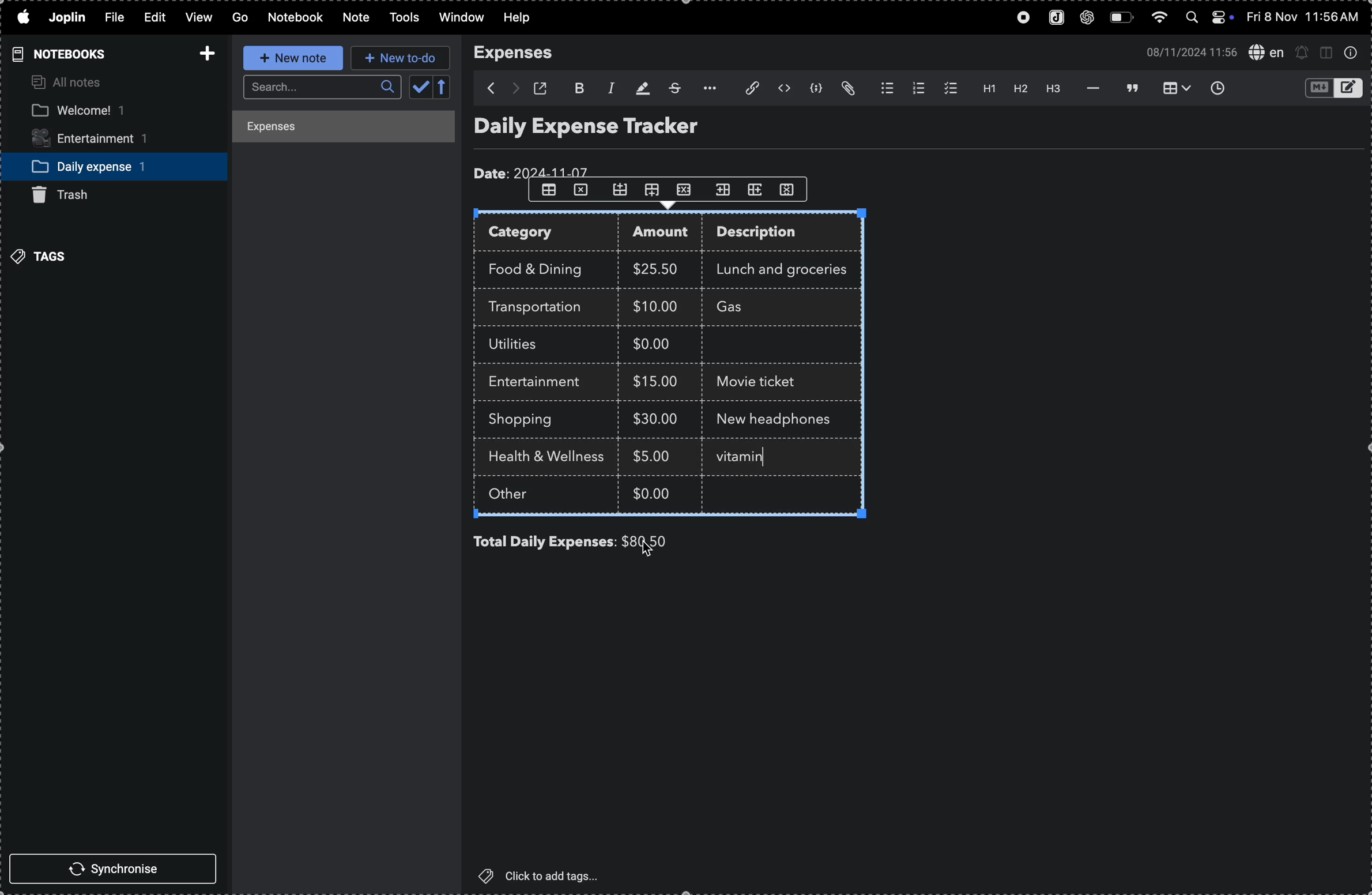  I want to click on open window, so click(544, 88).